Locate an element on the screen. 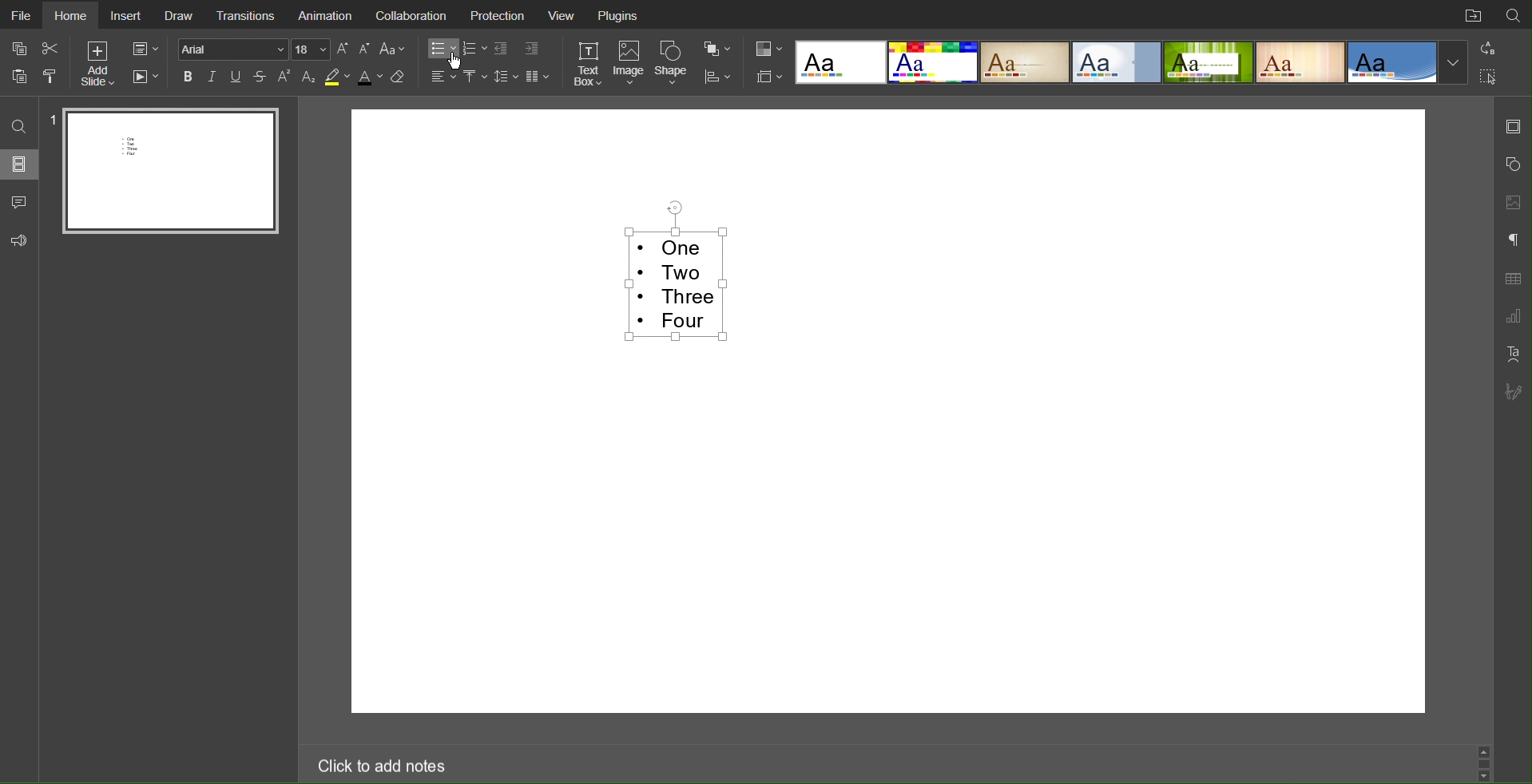 The image size is (1532, 784). Colors is located at coordinates (768, 49).